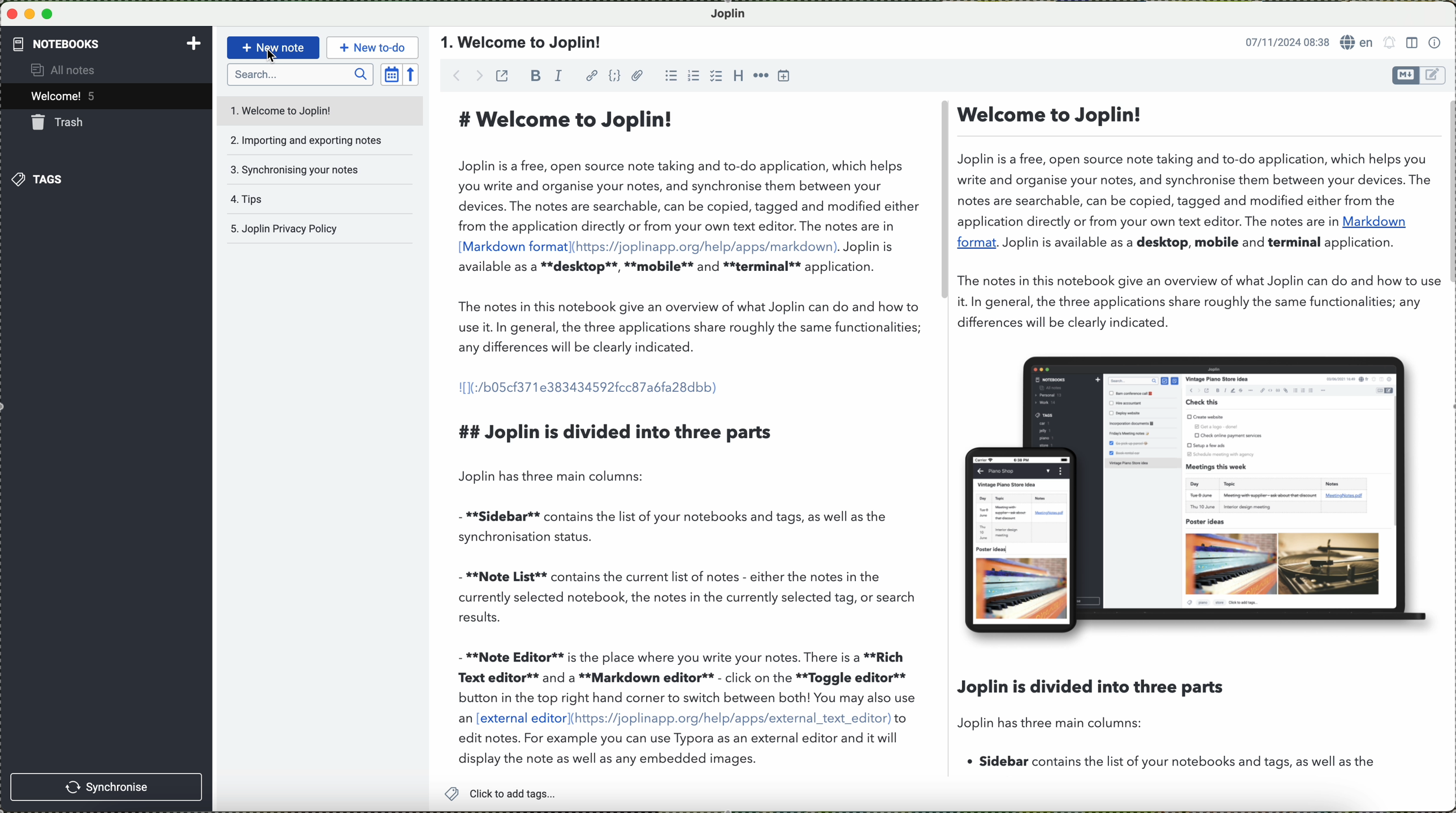 The image size is (1456, 813). I want to click on code, so click(616, 76).